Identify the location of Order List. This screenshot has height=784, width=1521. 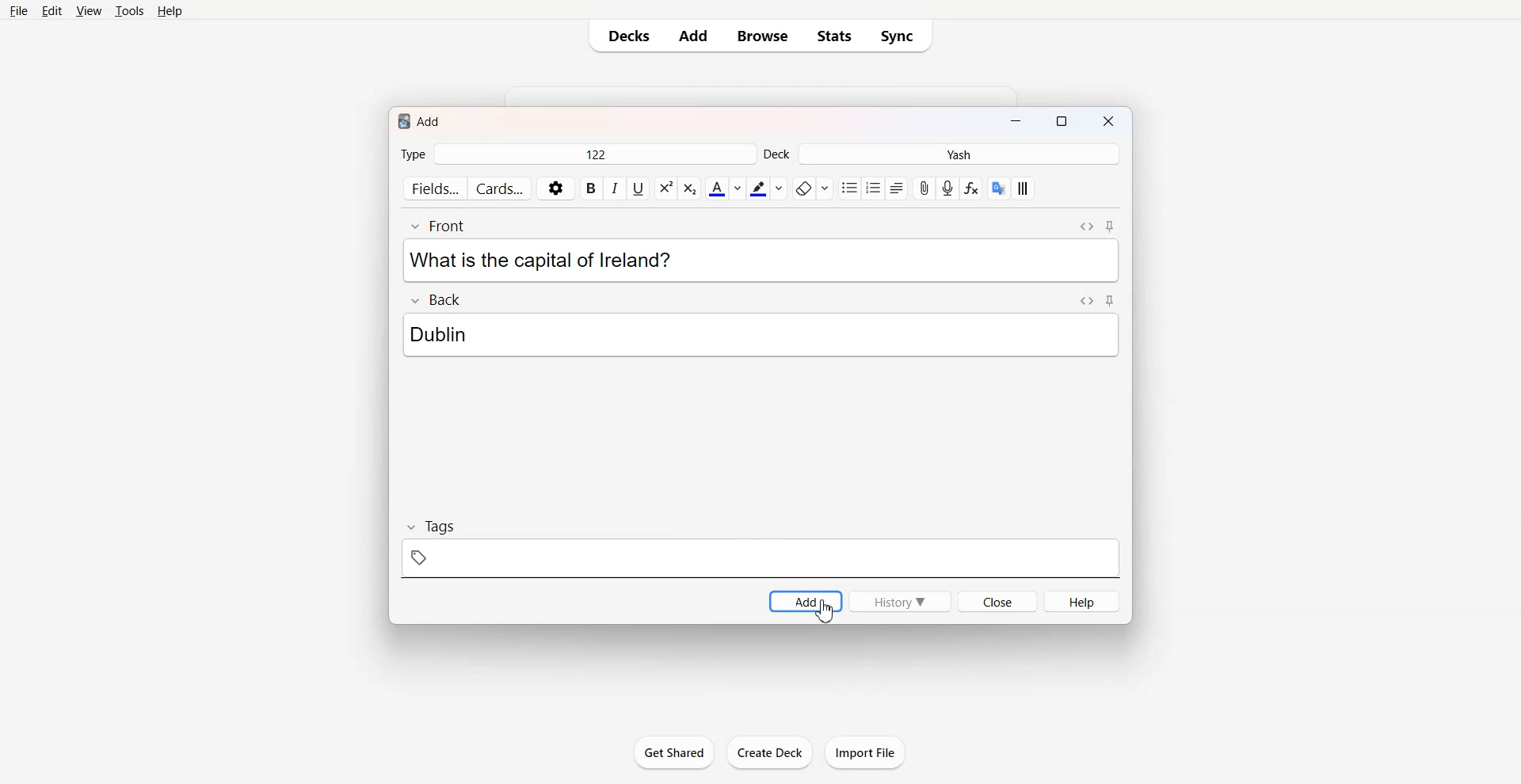
(873, 188).